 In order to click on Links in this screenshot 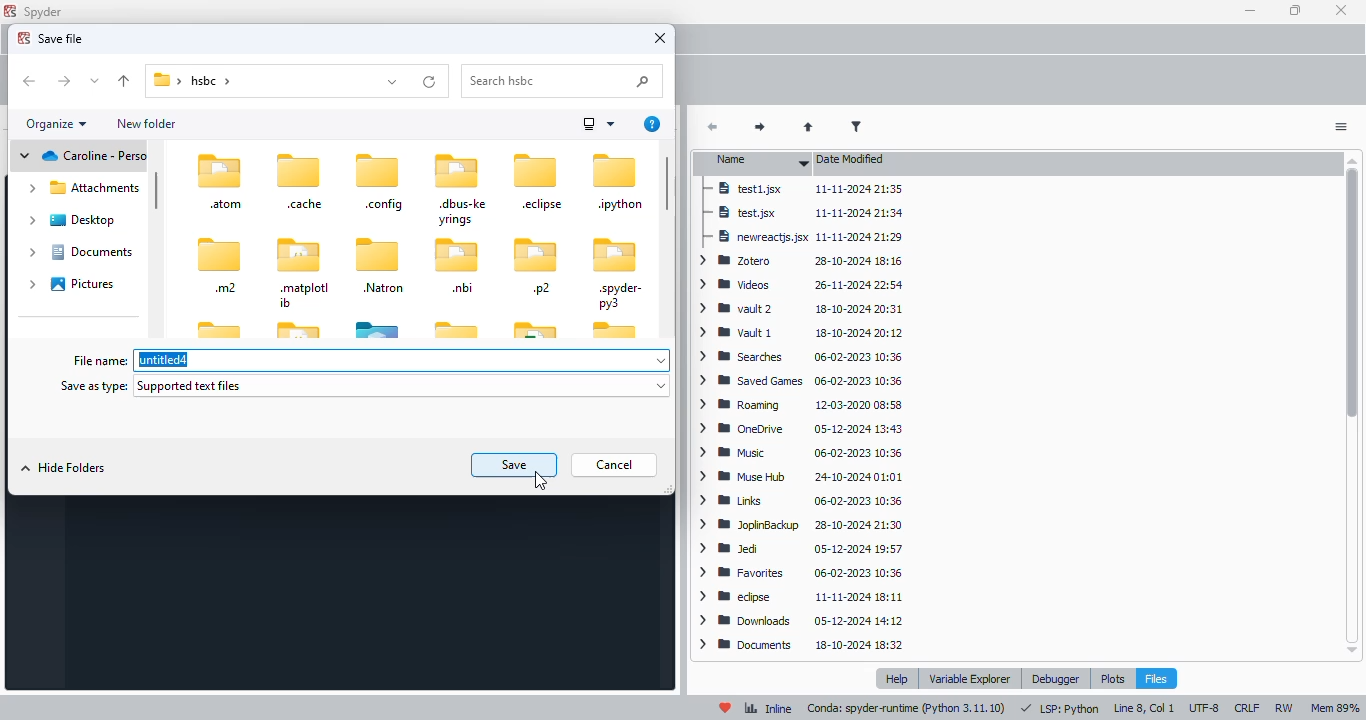, I will do `click(730, 499)`.